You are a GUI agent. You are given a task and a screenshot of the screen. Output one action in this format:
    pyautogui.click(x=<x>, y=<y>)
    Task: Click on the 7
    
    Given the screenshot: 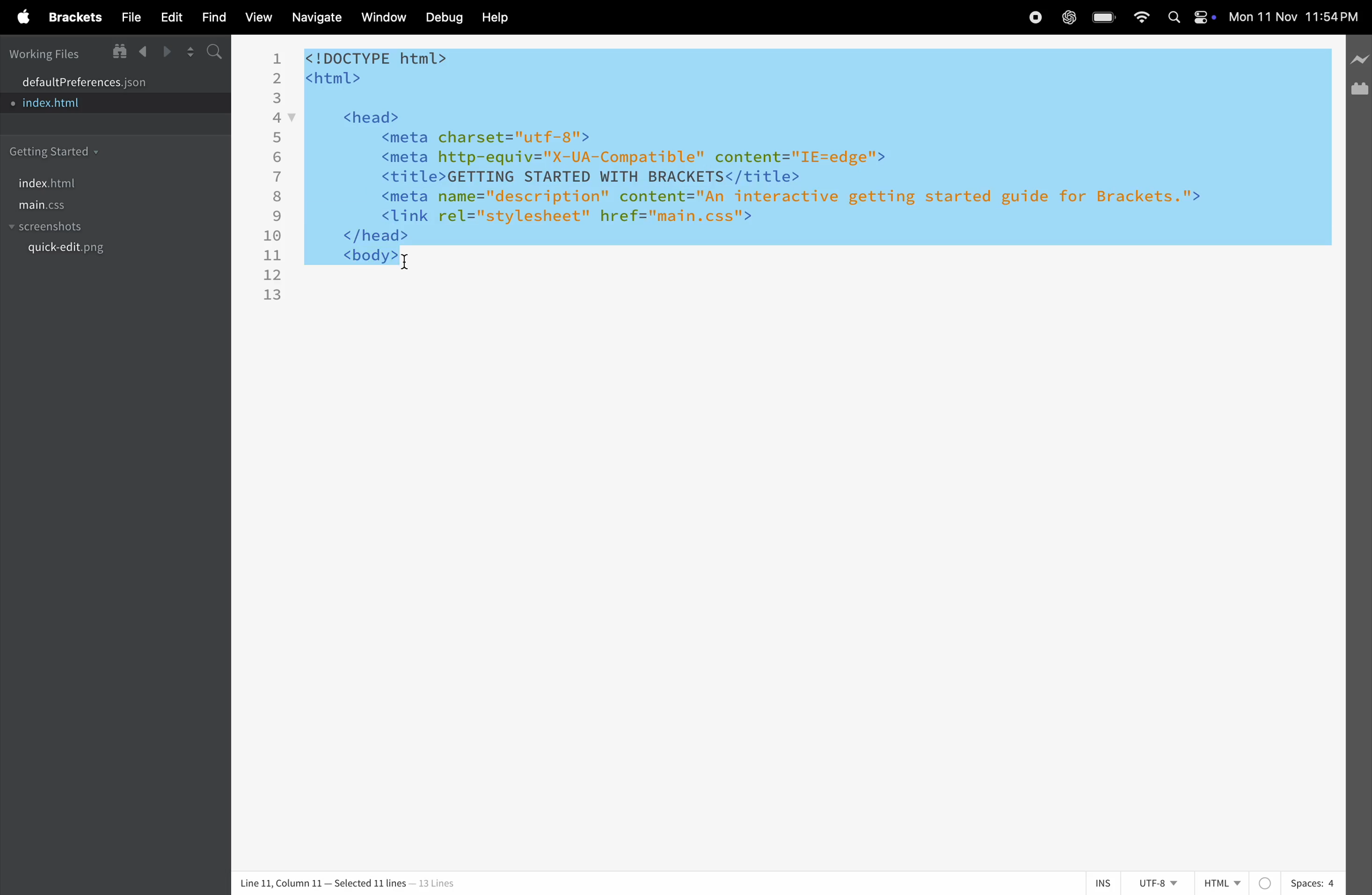 What is the action you would take?
    pyautogui.click(x=280, y=176)
    